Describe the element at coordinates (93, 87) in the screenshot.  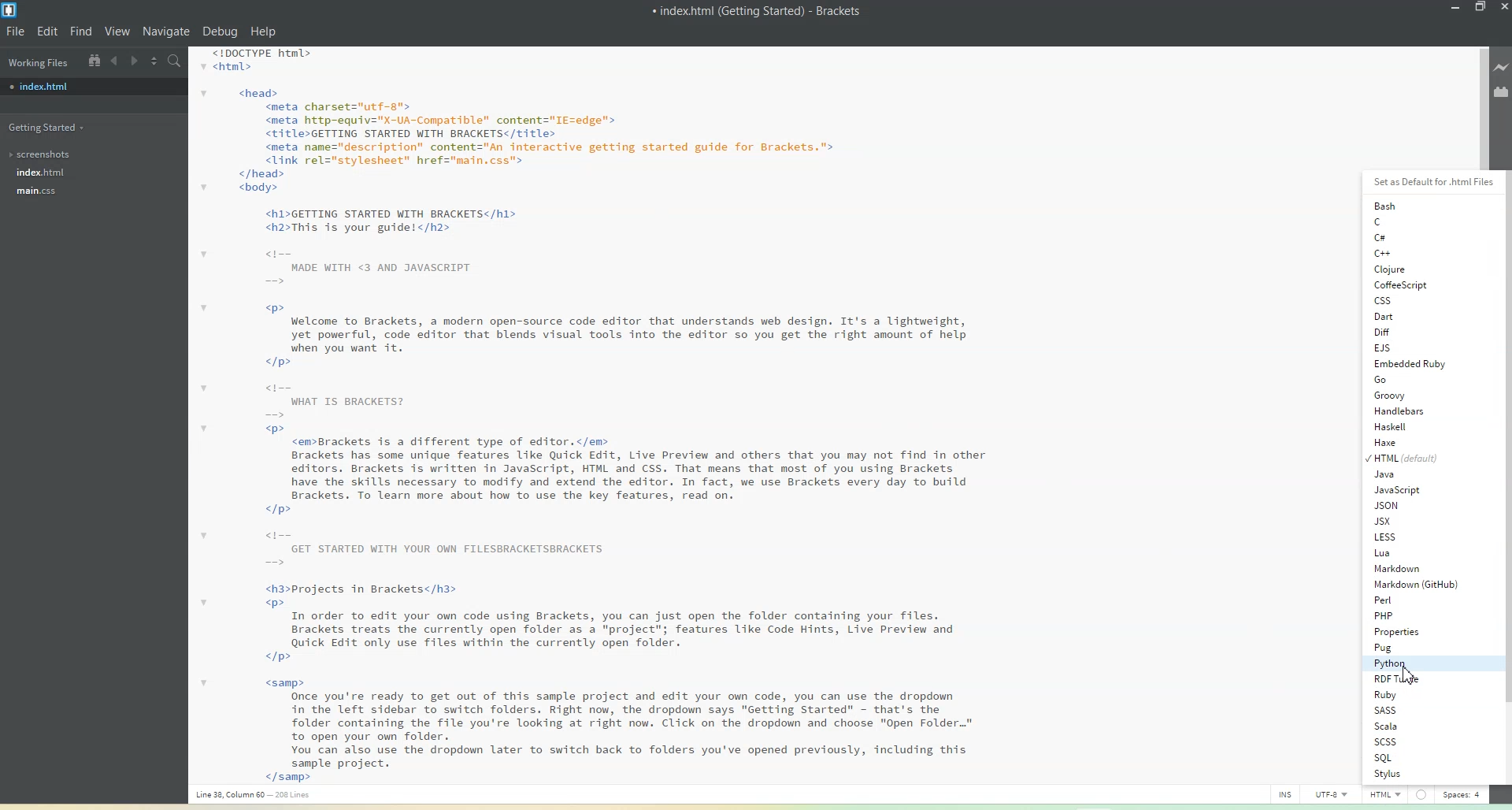
I see `Index.html` at that location.